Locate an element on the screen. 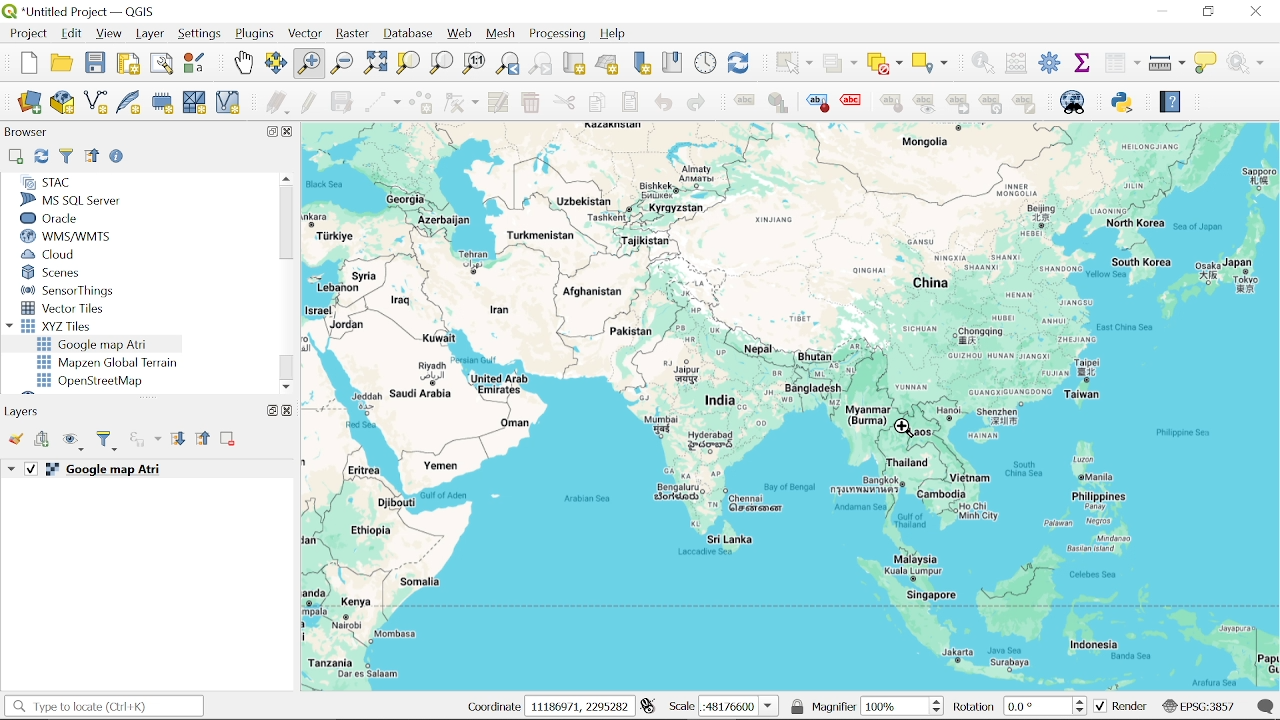  Zoom full is located at coordinates (375, 64).